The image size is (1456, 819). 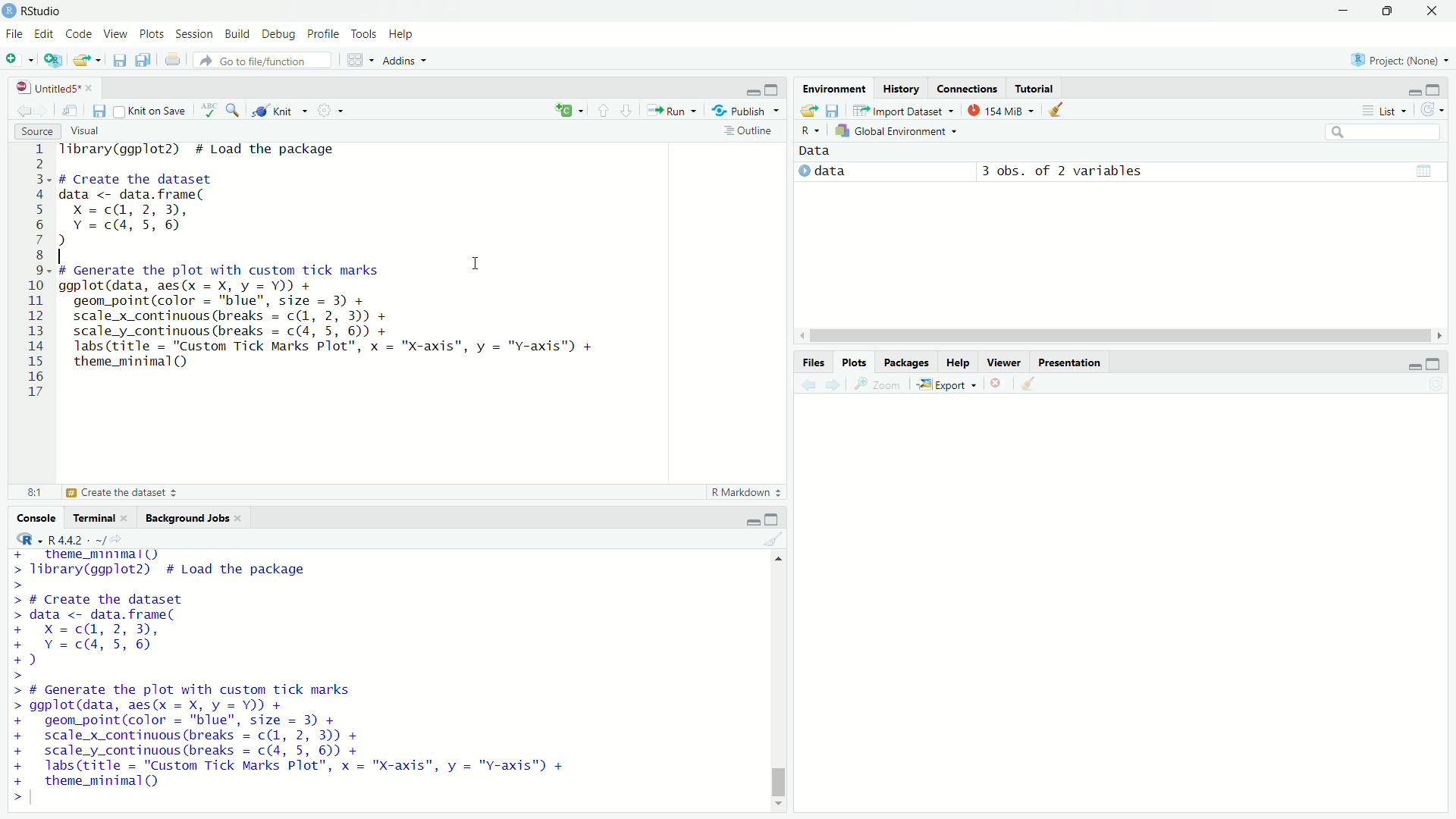 I want to click on history, so click(x=899, y=87).